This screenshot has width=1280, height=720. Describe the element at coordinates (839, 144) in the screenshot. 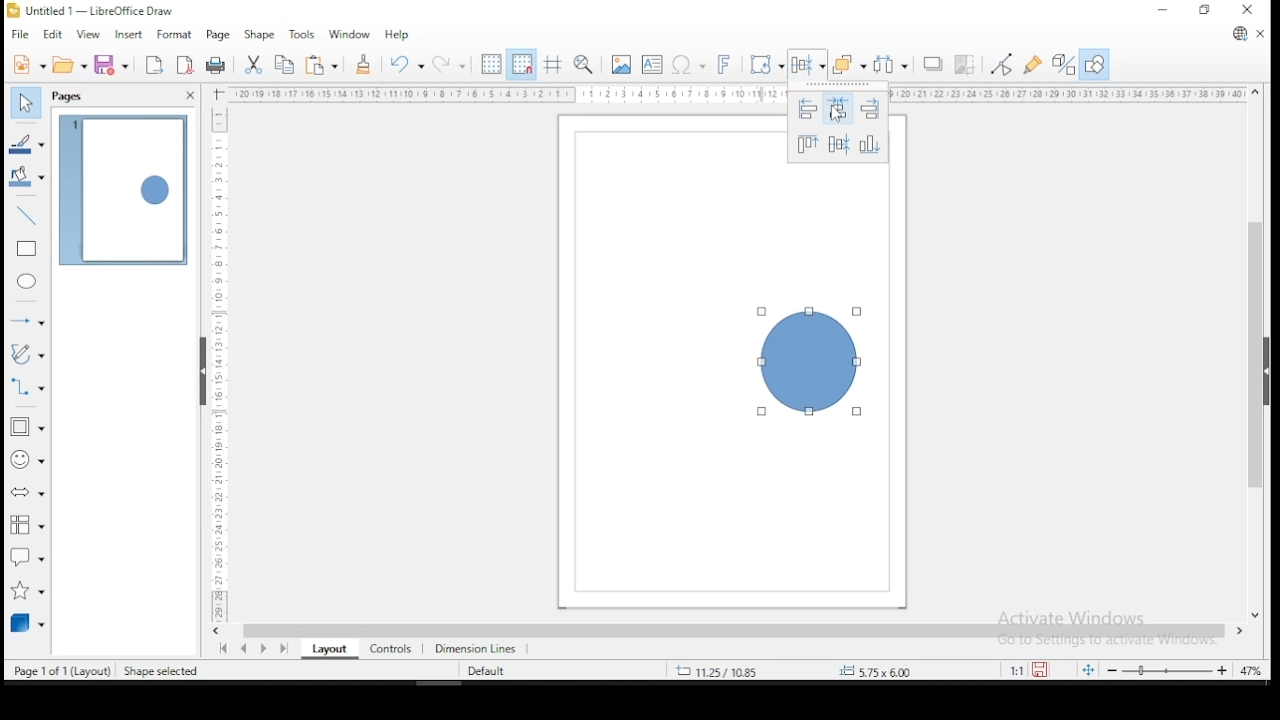

I see `center` at that location.